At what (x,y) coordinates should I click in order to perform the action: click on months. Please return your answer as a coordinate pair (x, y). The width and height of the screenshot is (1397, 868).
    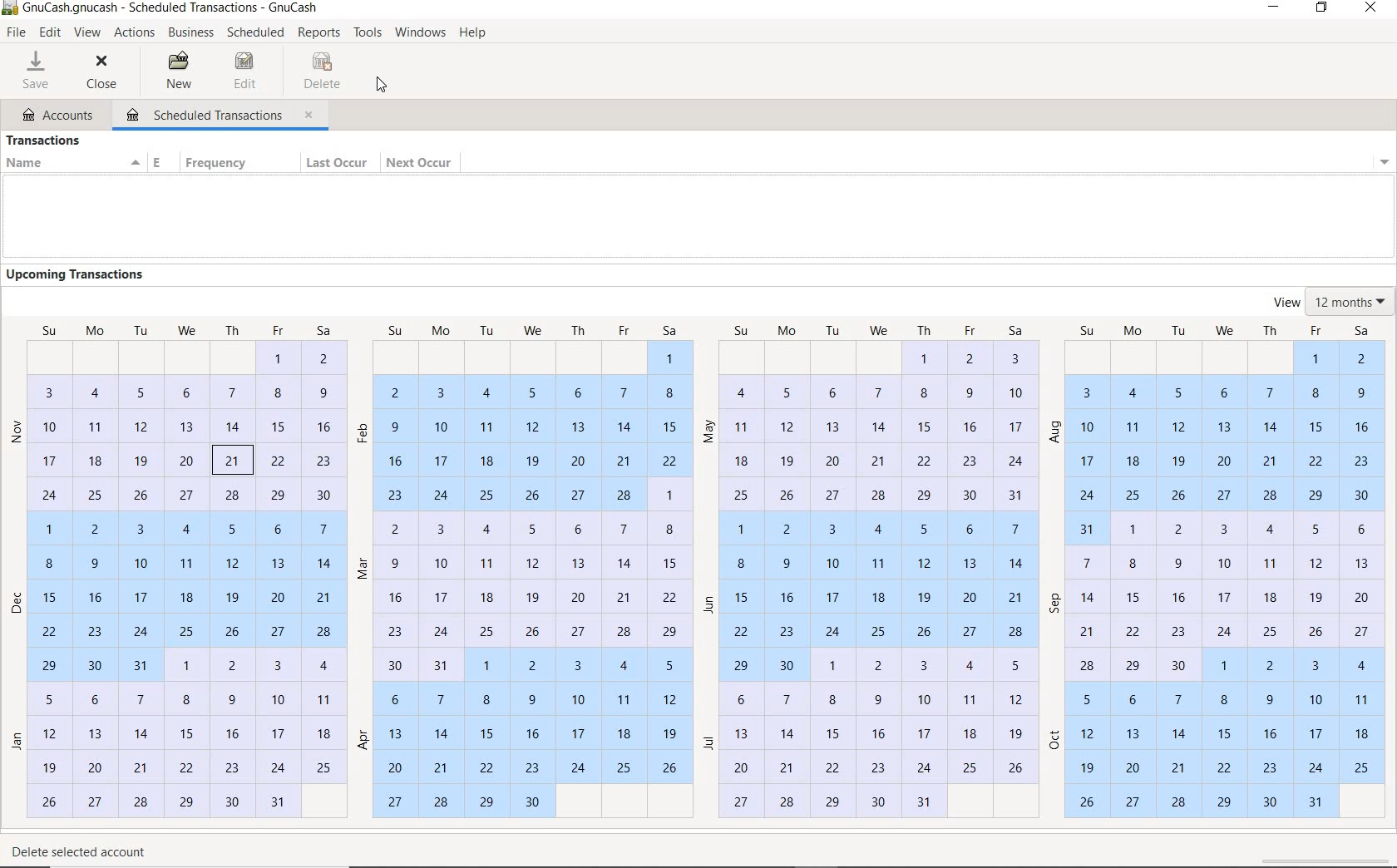
    Looking at the image, I should click on (361, 586).